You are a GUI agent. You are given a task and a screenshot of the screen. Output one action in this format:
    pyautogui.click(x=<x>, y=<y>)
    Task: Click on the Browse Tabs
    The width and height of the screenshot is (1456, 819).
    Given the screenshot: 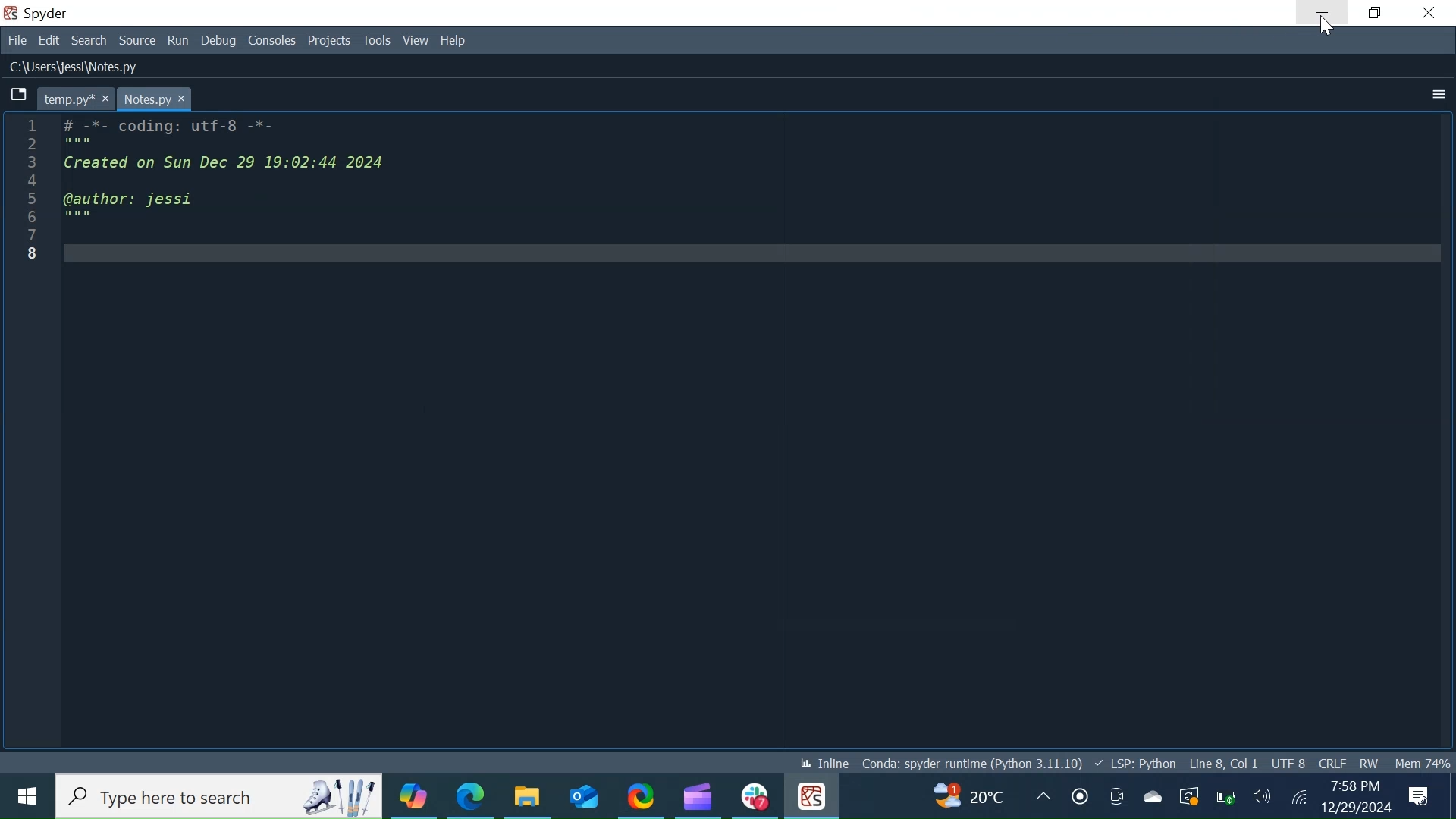 What is the action you would take?
    pyautogui.click(x=19, y=95)
    